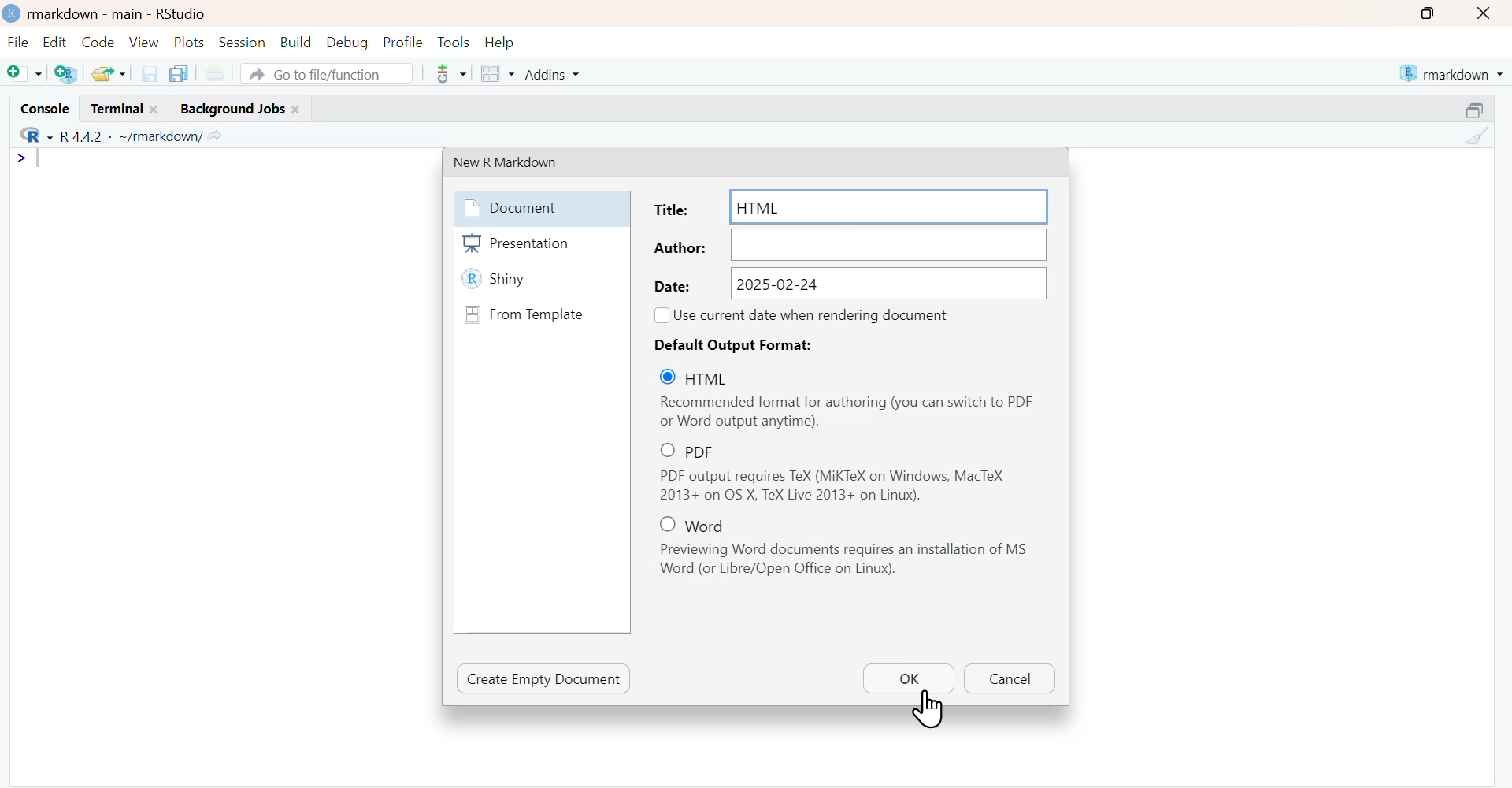 The width and height of the screenshot is (1512, 788). What do you see at coordinates (541, 281) in the screenshot?
I see `Shiny` at bounding box center [541, 281].